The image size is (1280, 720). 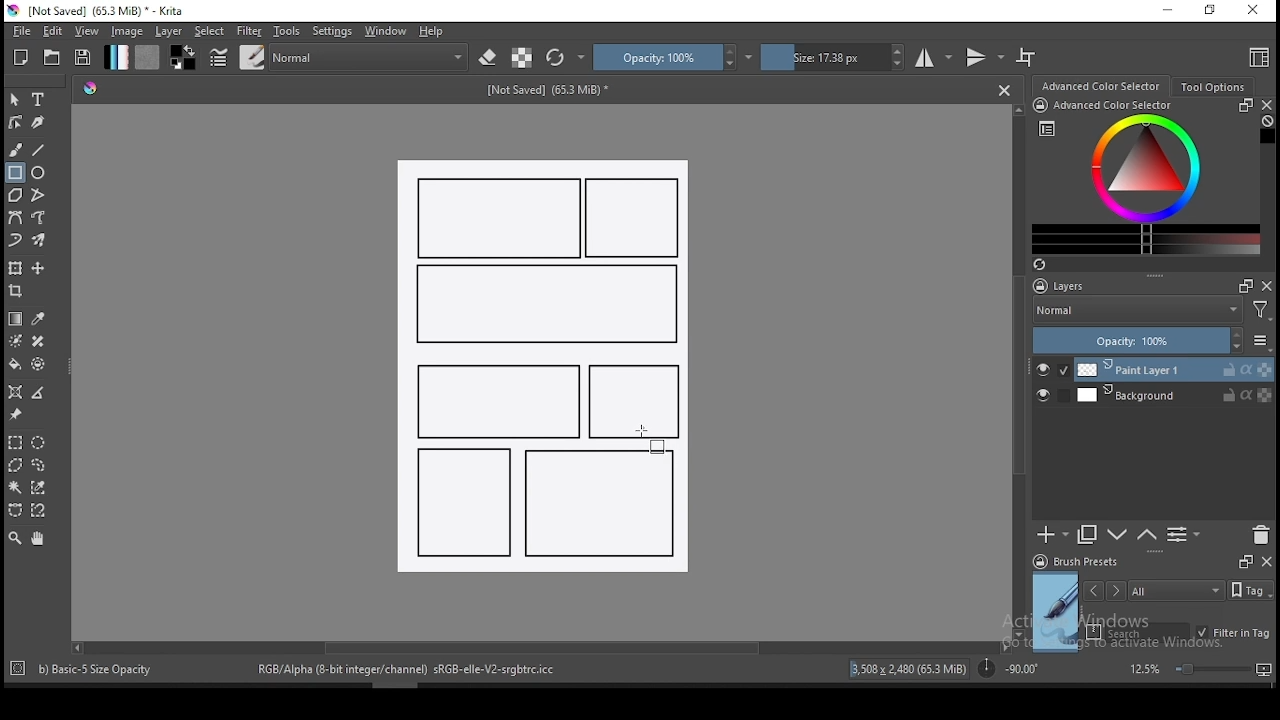 What do you see at coordinates (39, 150) in the screenshot?
I see `line tool` at bounding box center [39, 150].